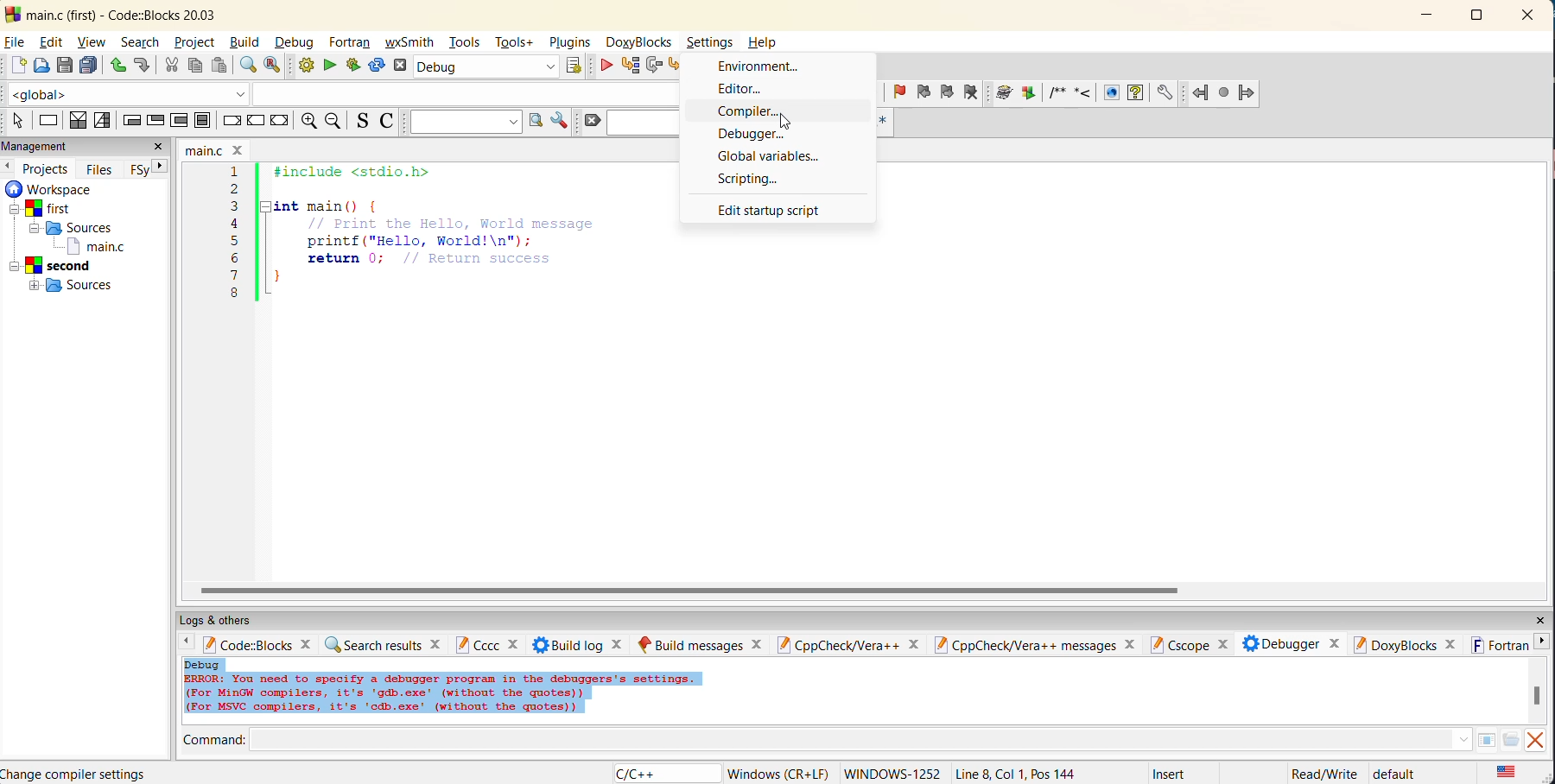 This screenshot has width=1555, height=784. Describe the element at coordinates (695, 591) in the screenshot. I see `horizontal scroll bar` at that location.